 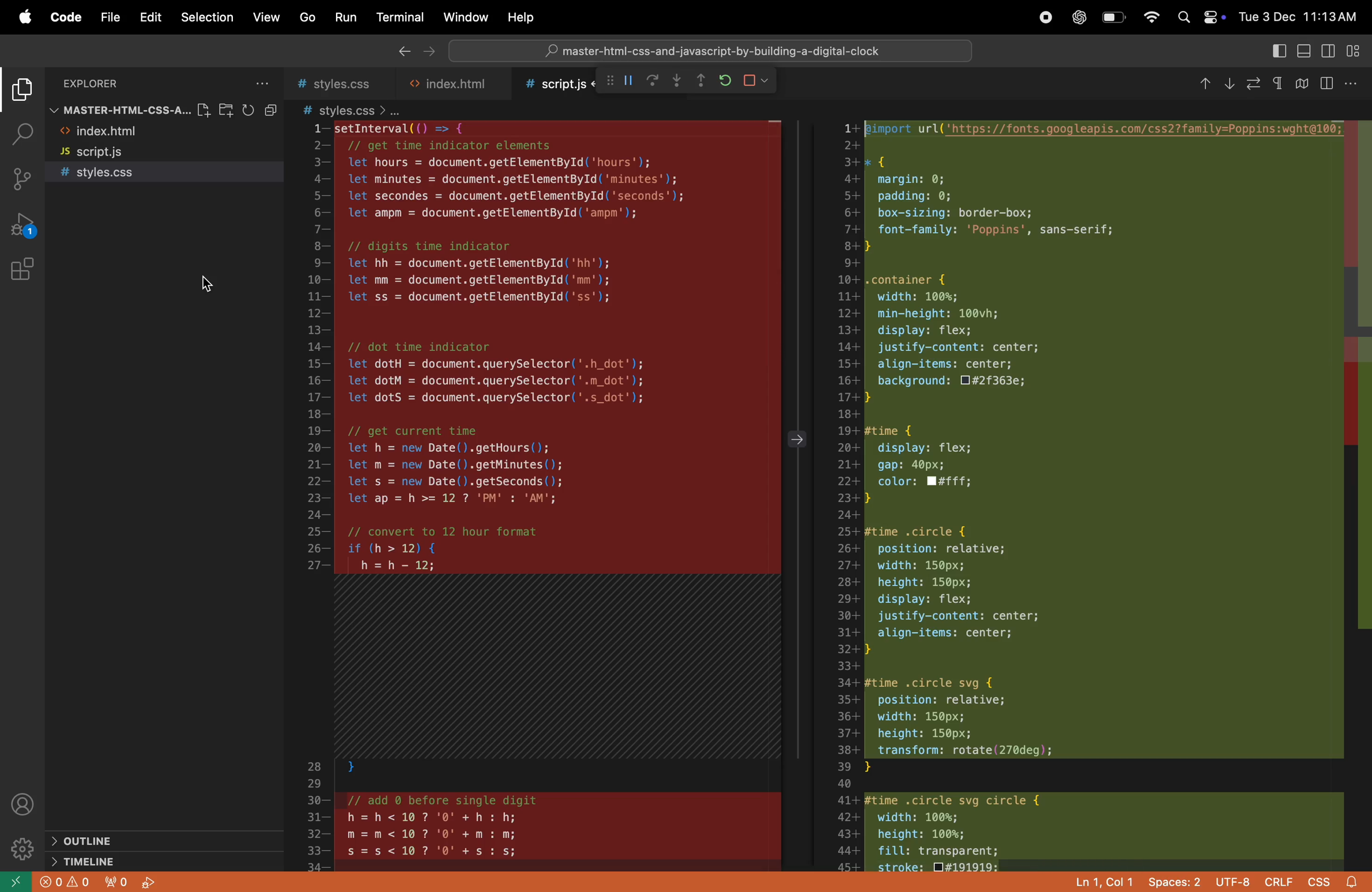 What do you see at coordinates (136, 155) in the screenshot?
I see `script.js file` at bounding box center [136, 155].